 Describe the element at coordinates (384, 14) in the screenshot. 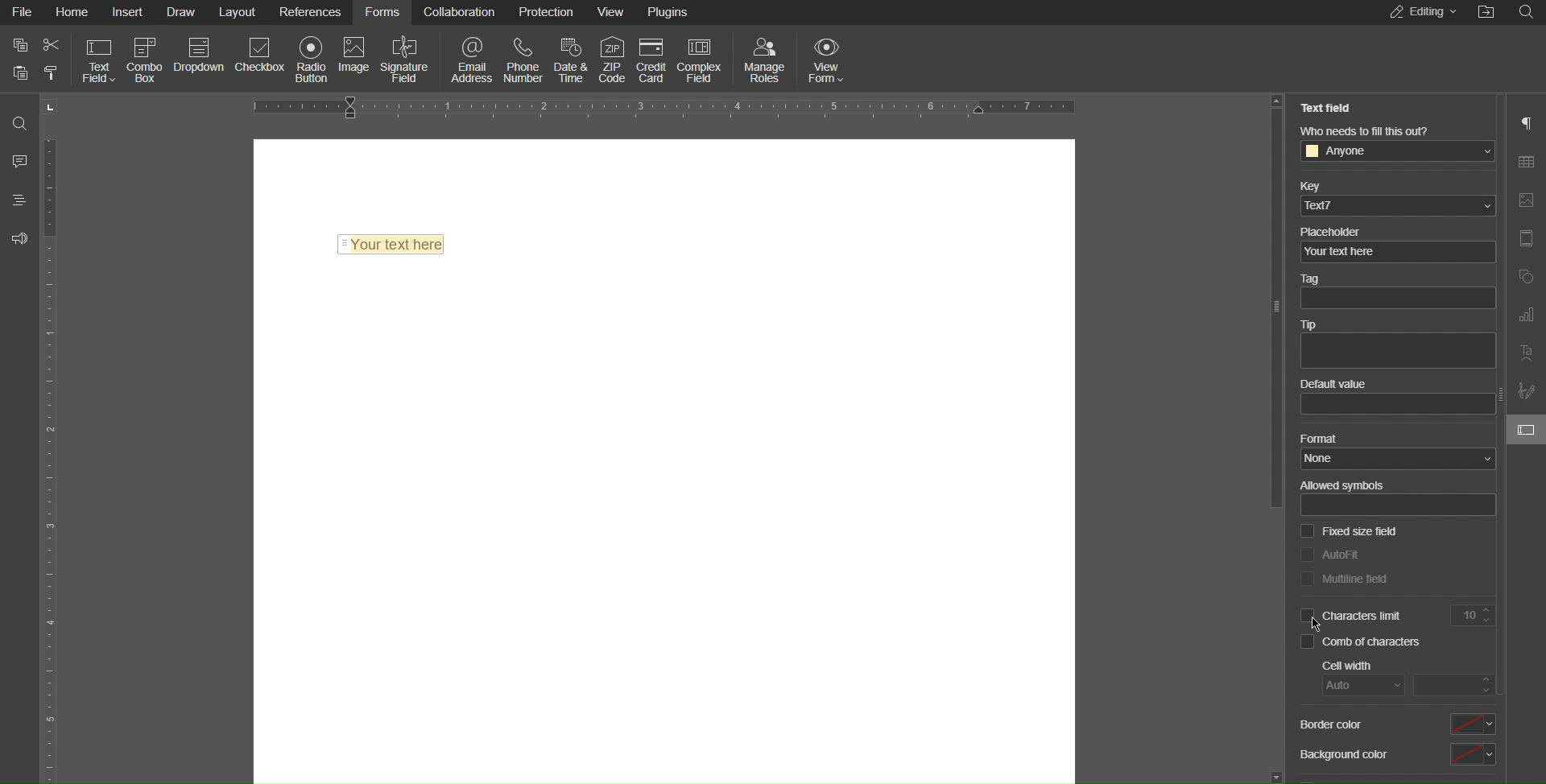

I see `Forms` at that location.